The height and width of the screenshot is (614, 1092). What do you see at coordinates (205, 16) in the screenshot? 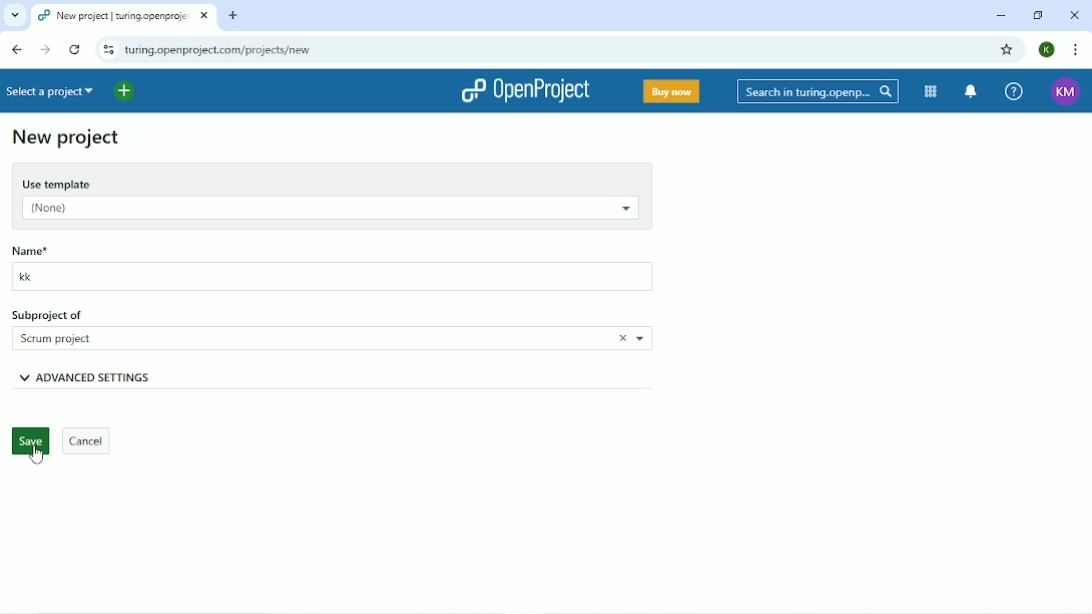
I see `close` at bounding box center [205, 16].